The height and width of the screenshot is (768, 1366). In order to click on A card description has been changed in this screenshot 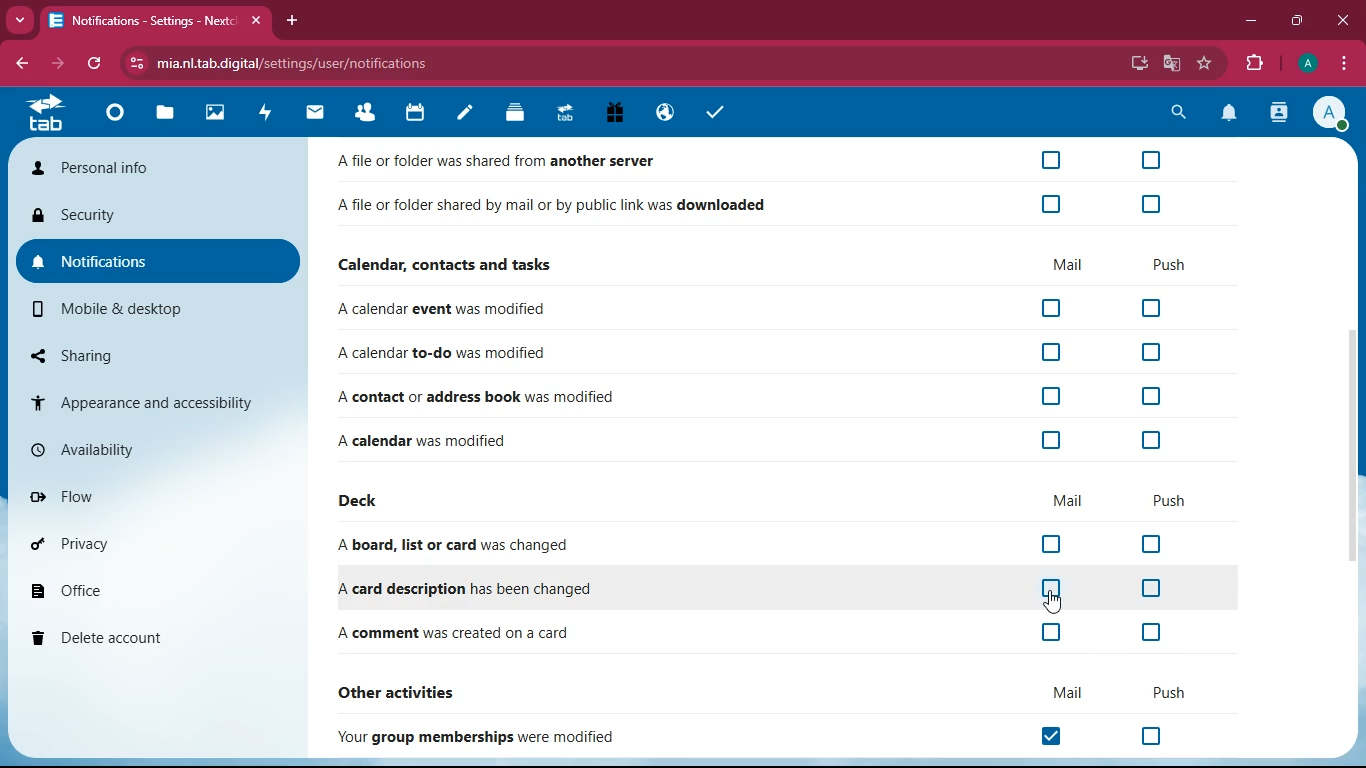, I will do `click(459, 589)`.